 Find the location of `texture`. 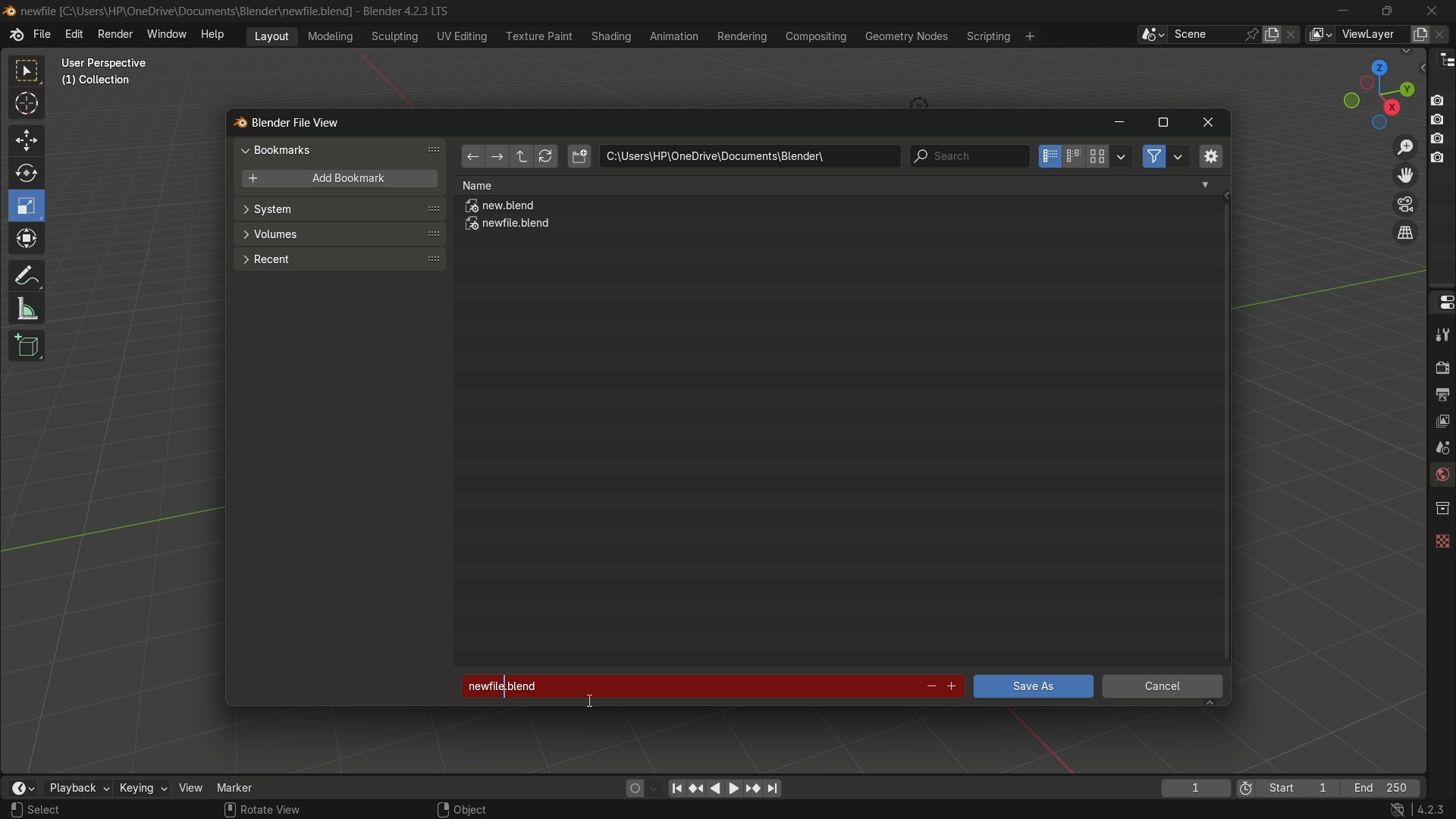

texture is located at coordinates (1441, 538).